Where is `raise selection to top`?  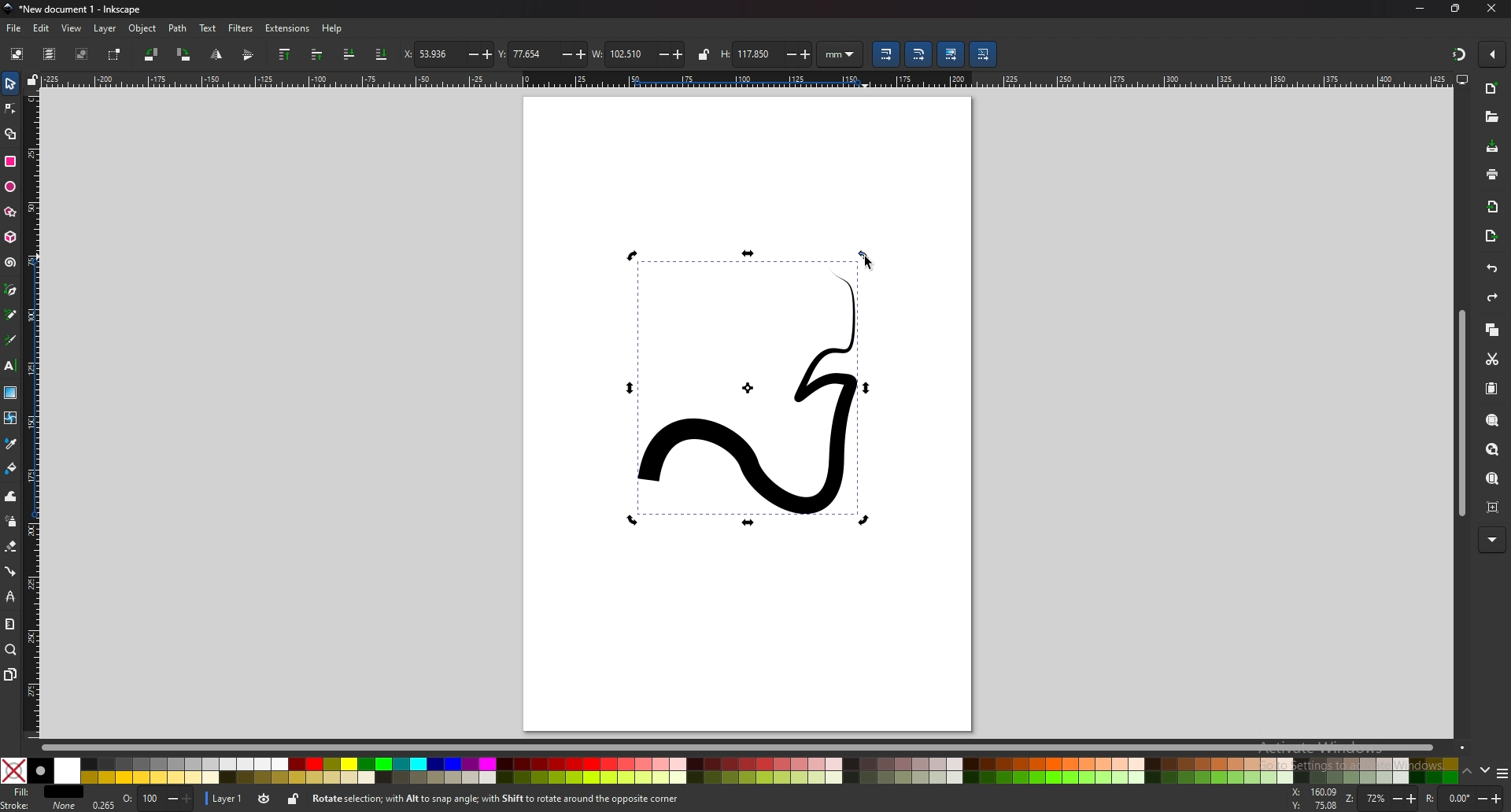
raise selection to top is located at coordinates (286, 54).